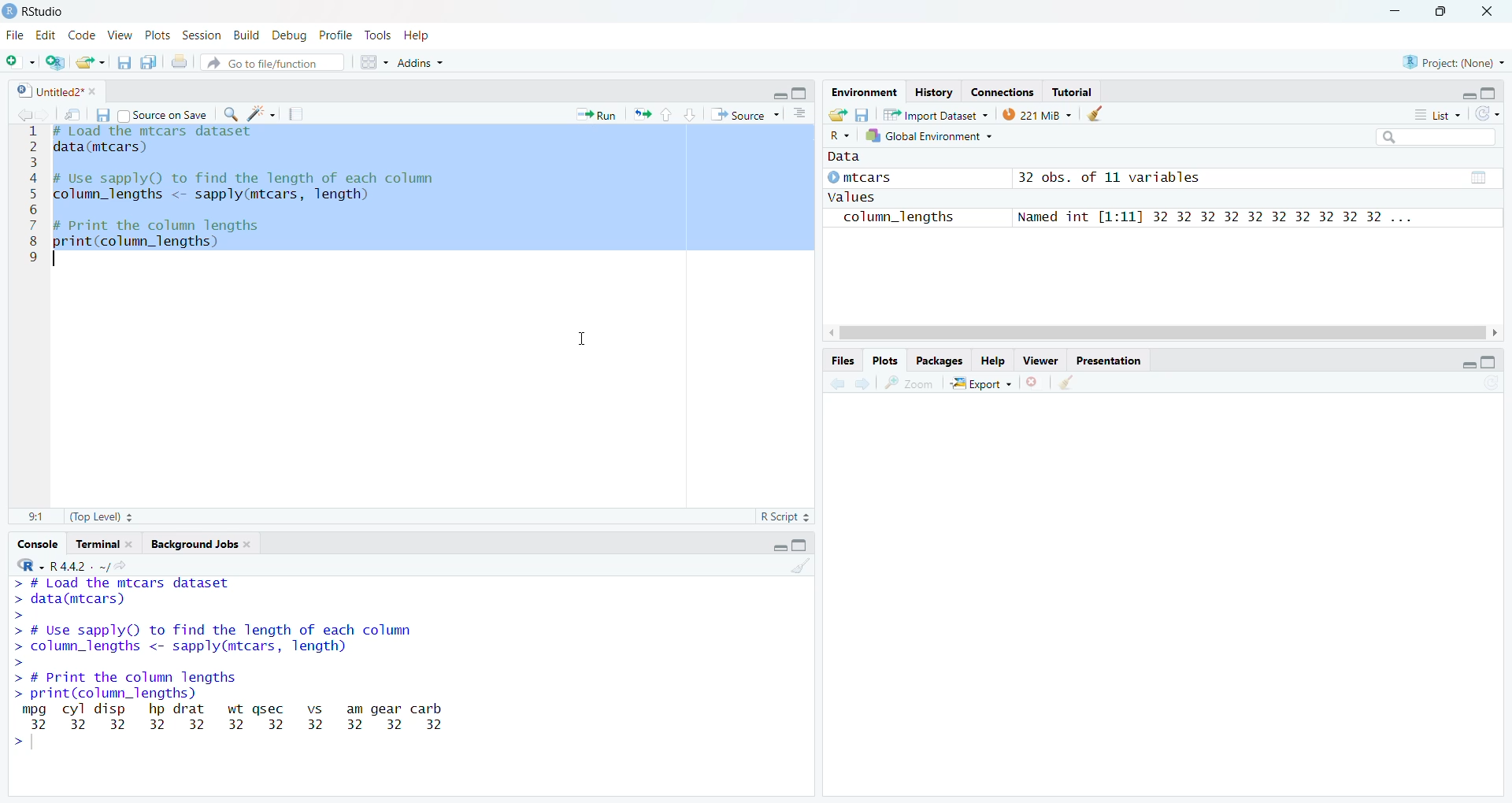 The width and height of the screenshot is (1512, 803). Describe the element at coordinates (54, 62) in the screenshot. I see `Create Project` at that location.